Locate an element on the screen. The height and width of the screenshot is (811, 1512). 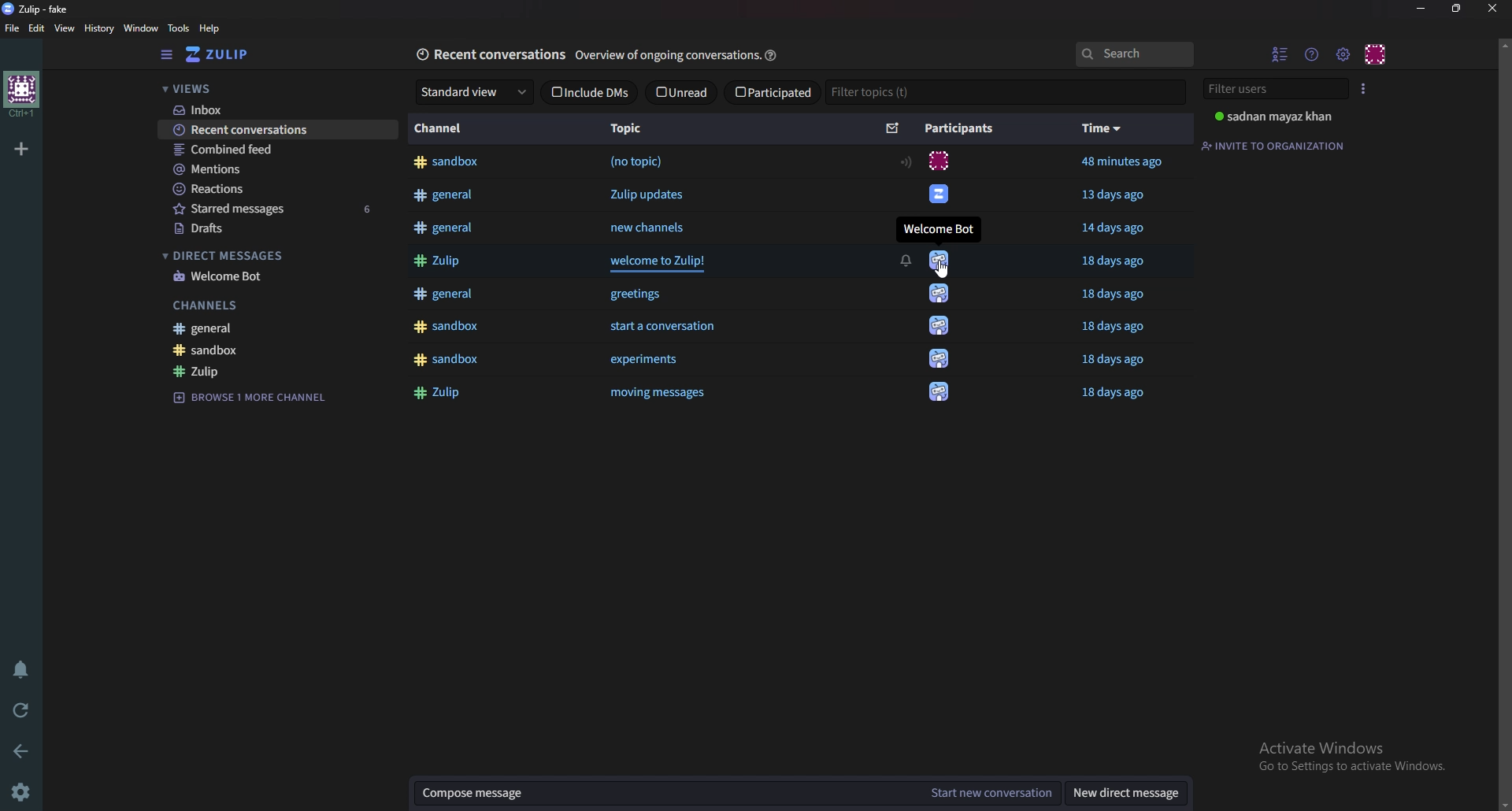
Range is located at coordinates (906, 161).